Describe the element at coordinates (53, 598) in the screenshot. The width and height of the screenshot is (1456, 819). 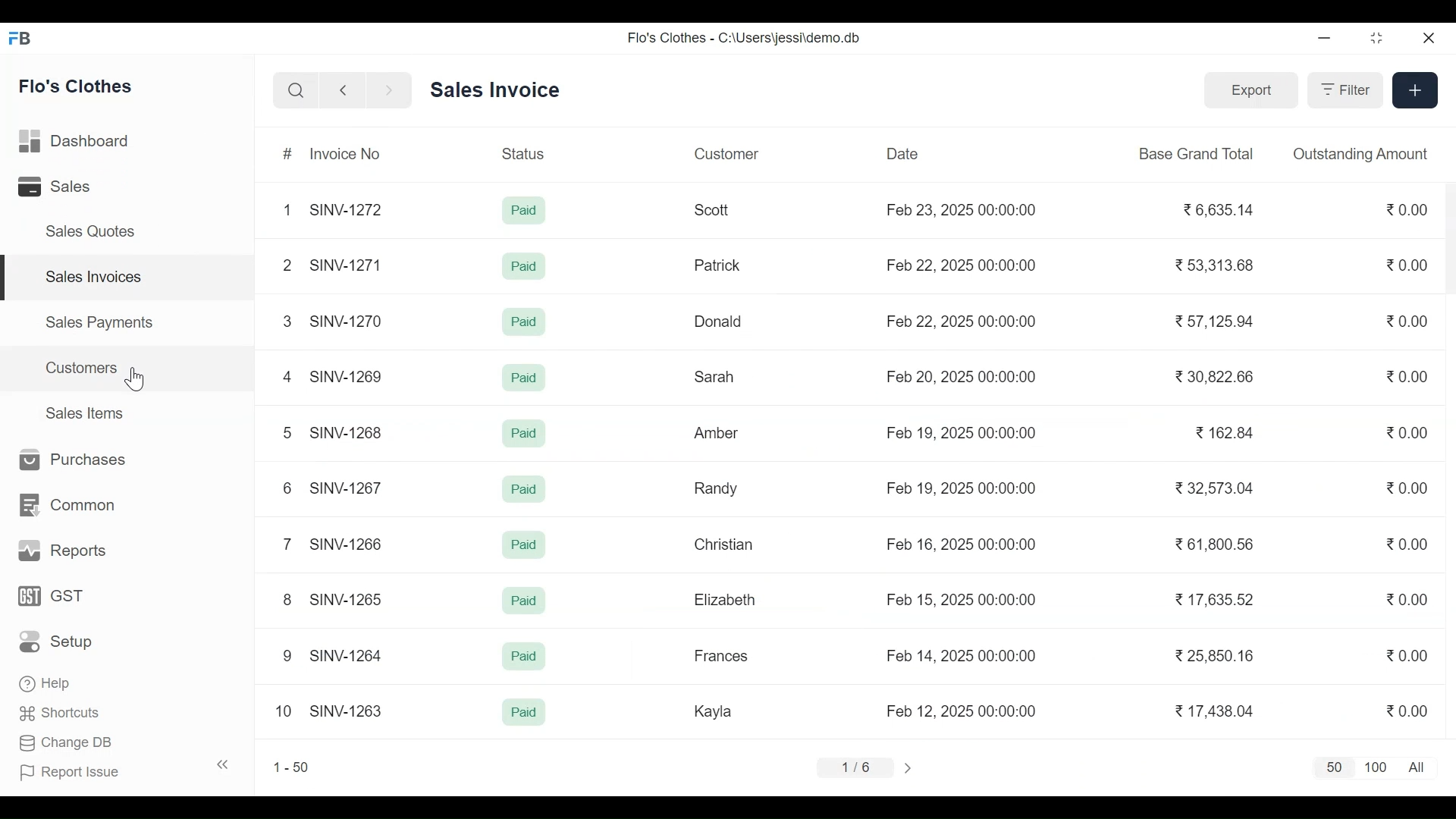
I see `GST` at that location.